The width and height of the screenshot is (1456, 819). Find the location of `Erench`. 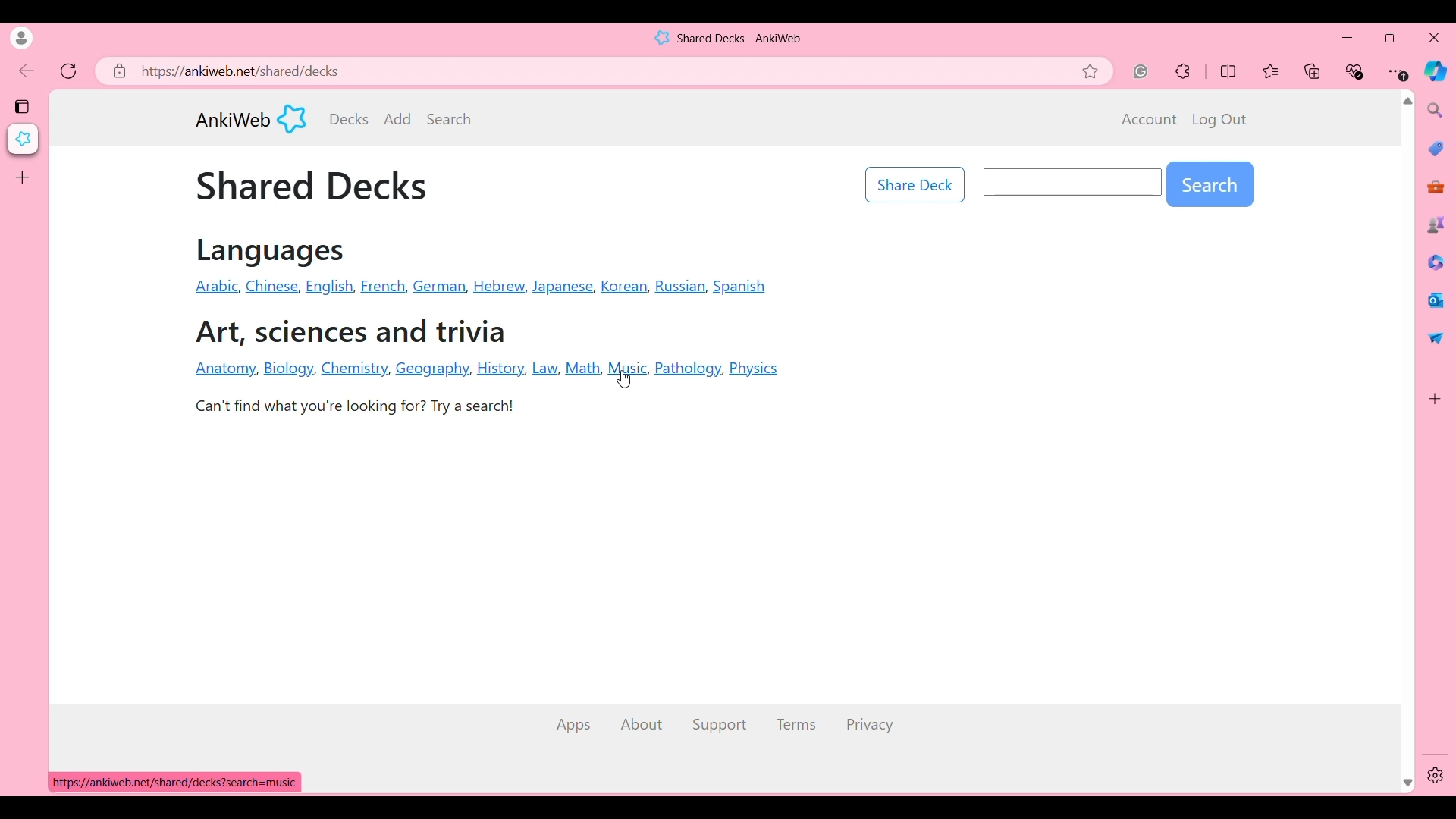

Erench is located at coordinates (381, 286).